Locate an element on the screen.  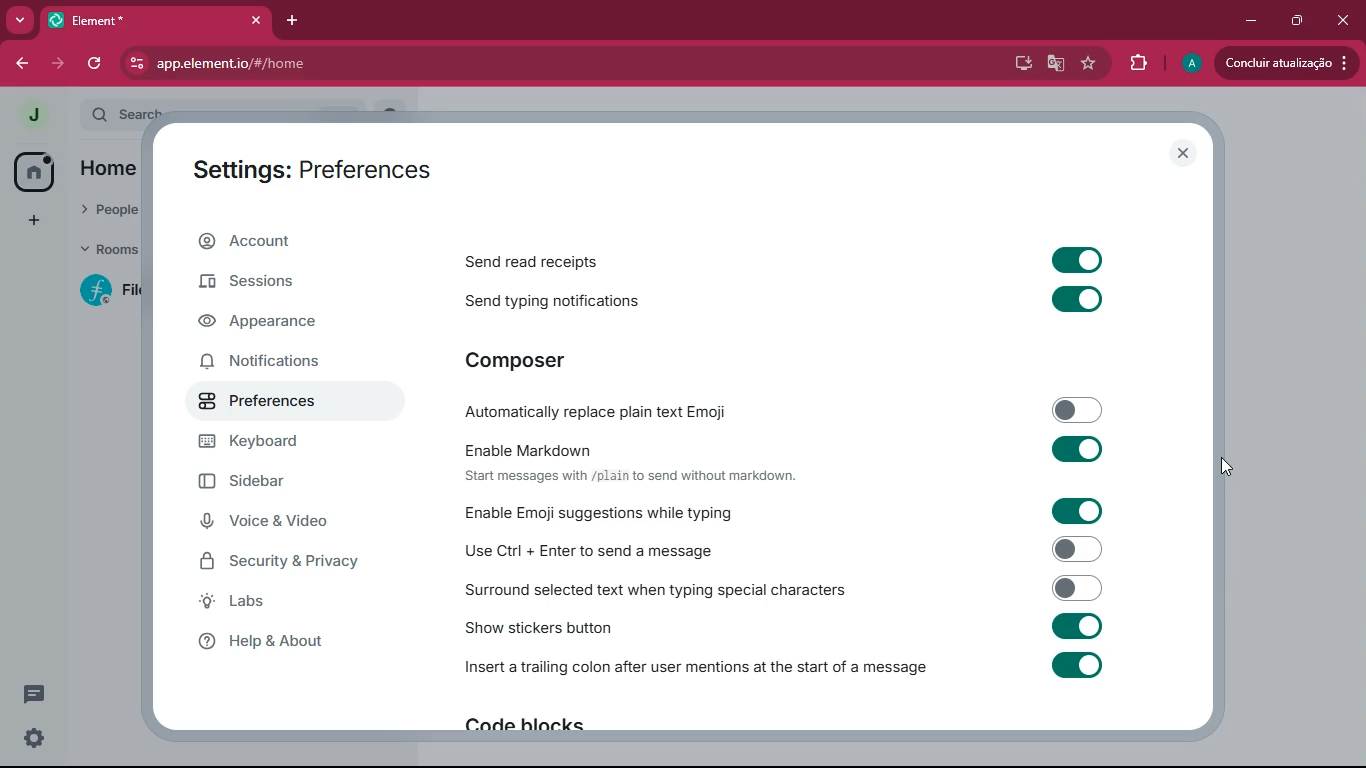
labs is located at coordinates (277, 604).